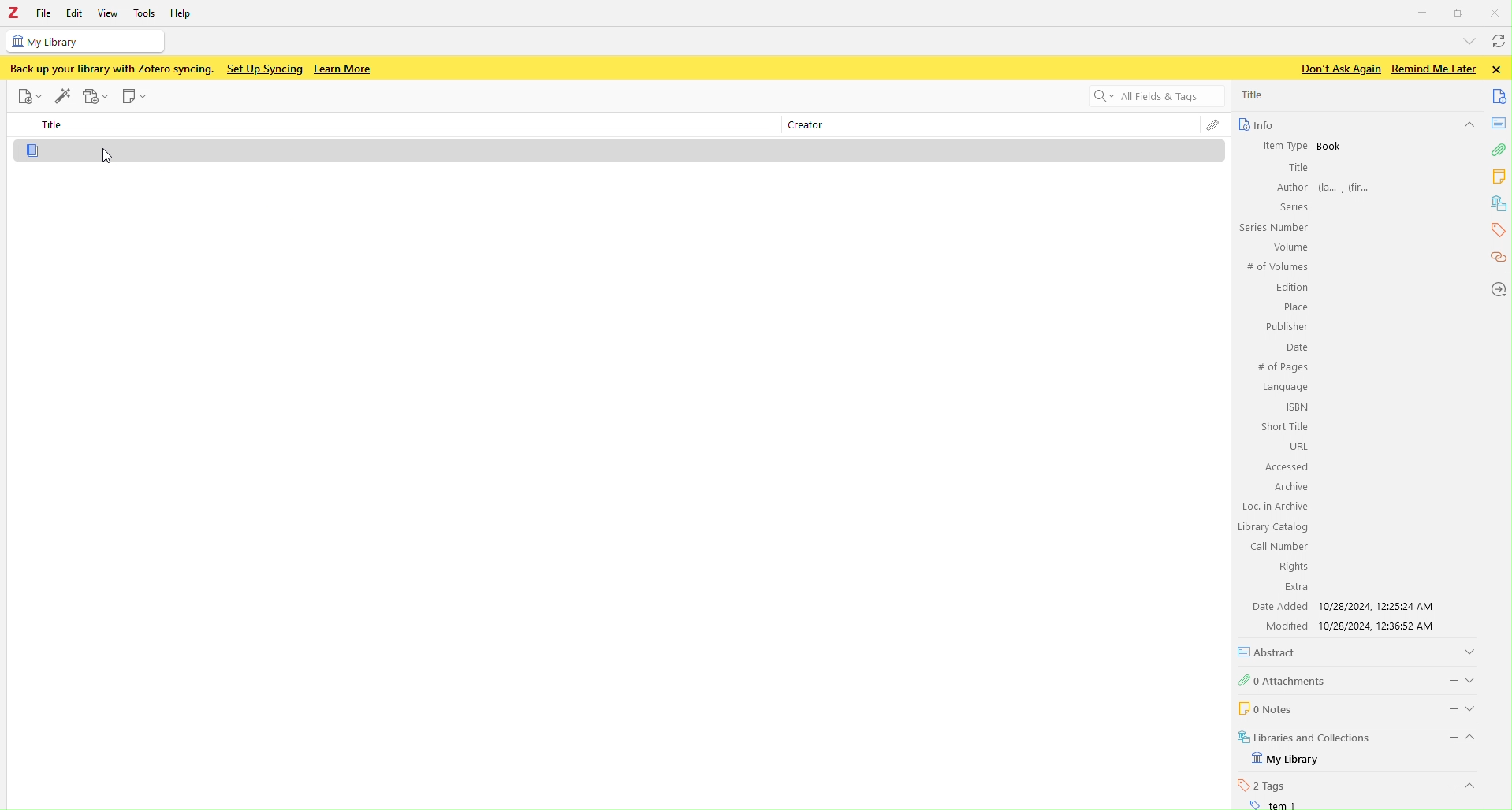  Describe the element at coordinates (1278, 145) in the screenshot. I see `Item Type` at that location.